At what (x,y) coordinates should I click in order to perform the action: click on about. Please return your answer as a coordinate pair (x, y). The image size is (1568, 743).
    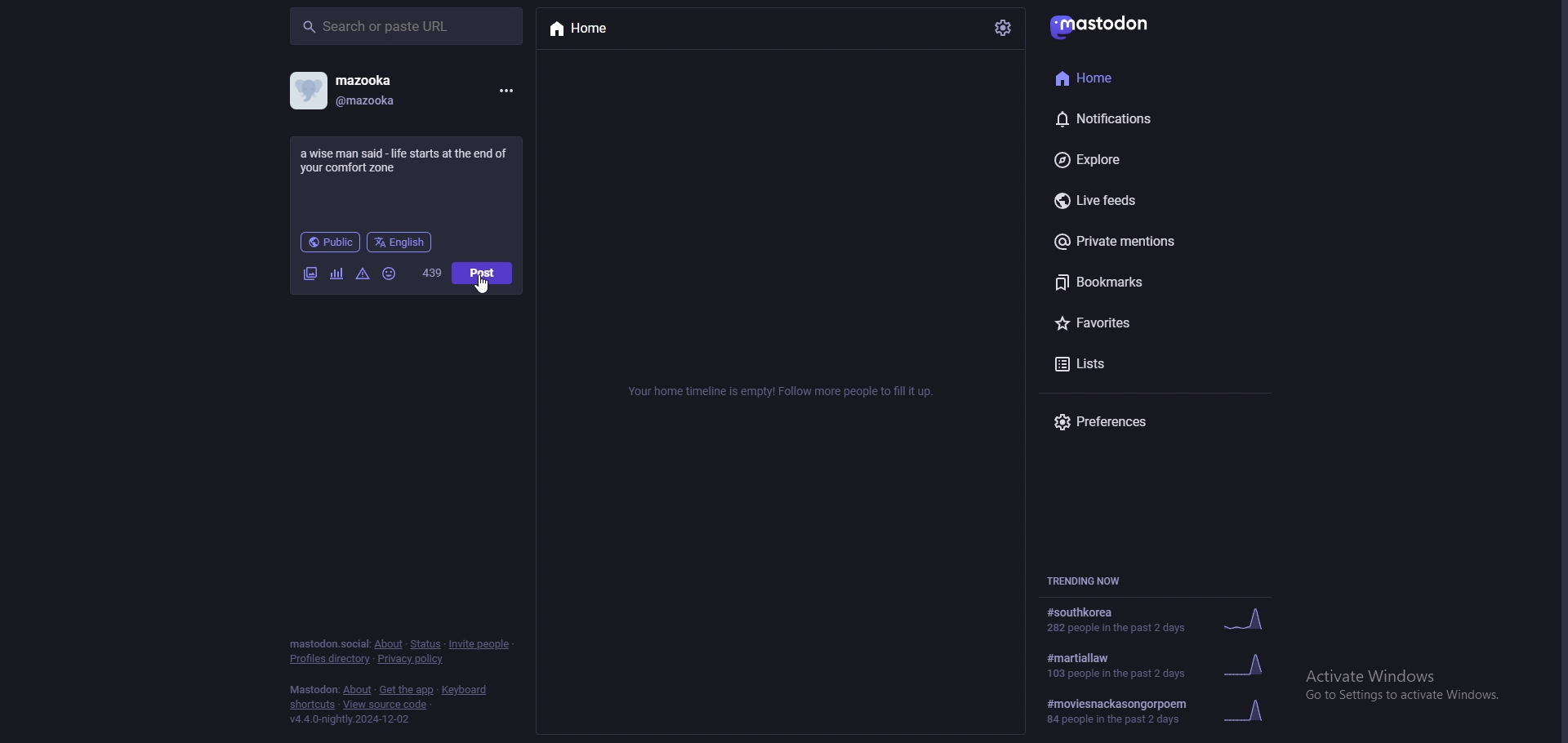
    Looking at the image, I should click on (358, 690).